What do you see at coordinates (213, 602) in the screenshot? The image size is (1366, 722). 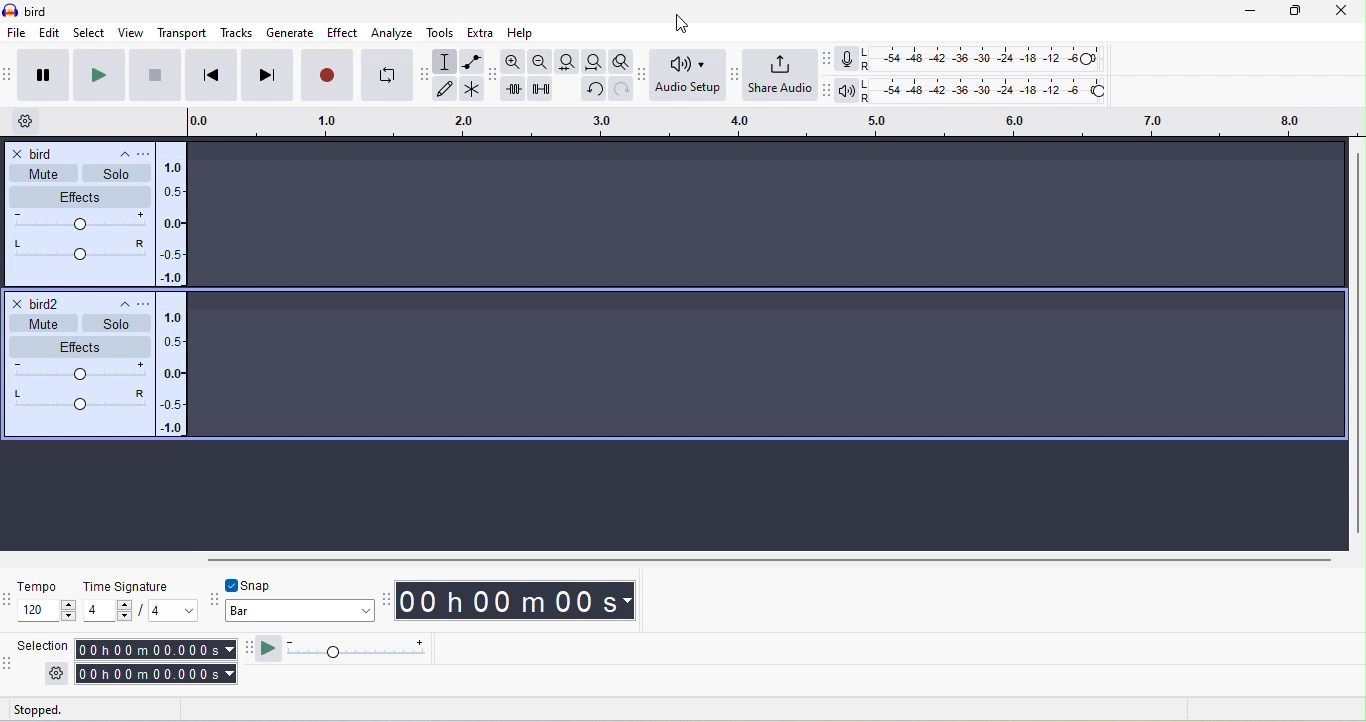 I see `audacity snapping toolbar` at bounding box center [213, 602].